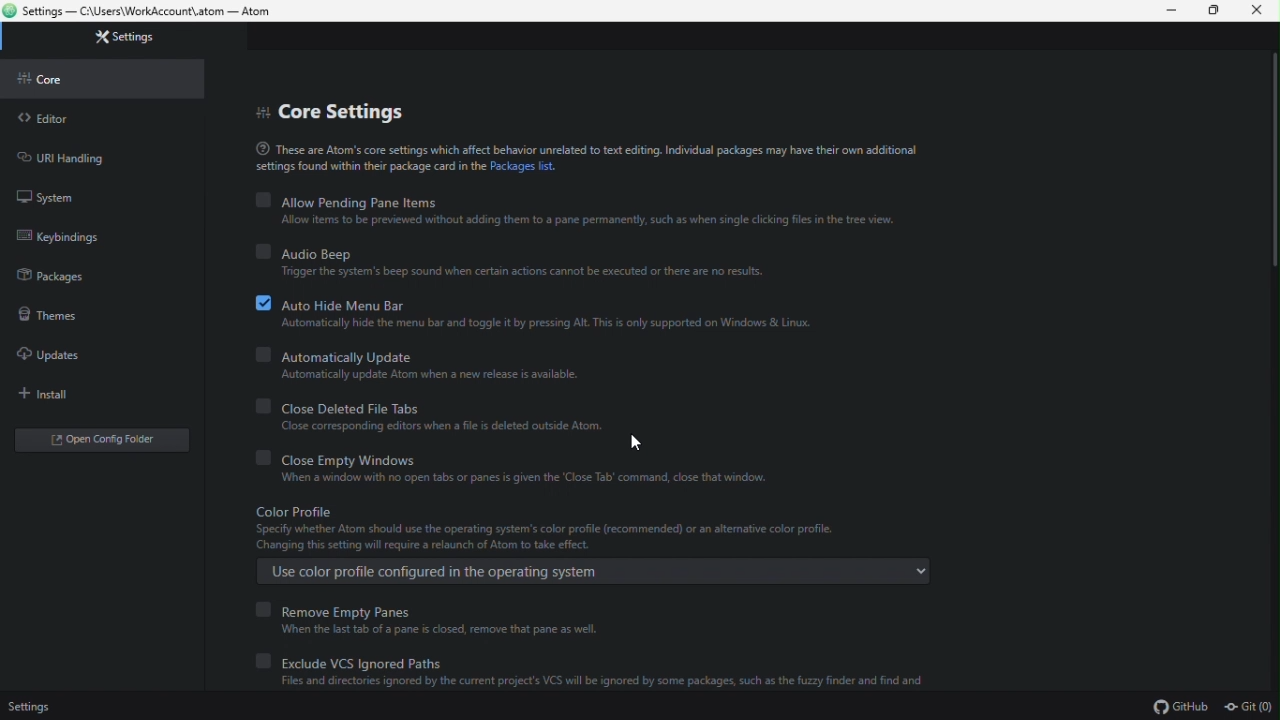 The width and height of the screenshot is (1280, 720). I want to click on Automatically Update, so click(342, 355).